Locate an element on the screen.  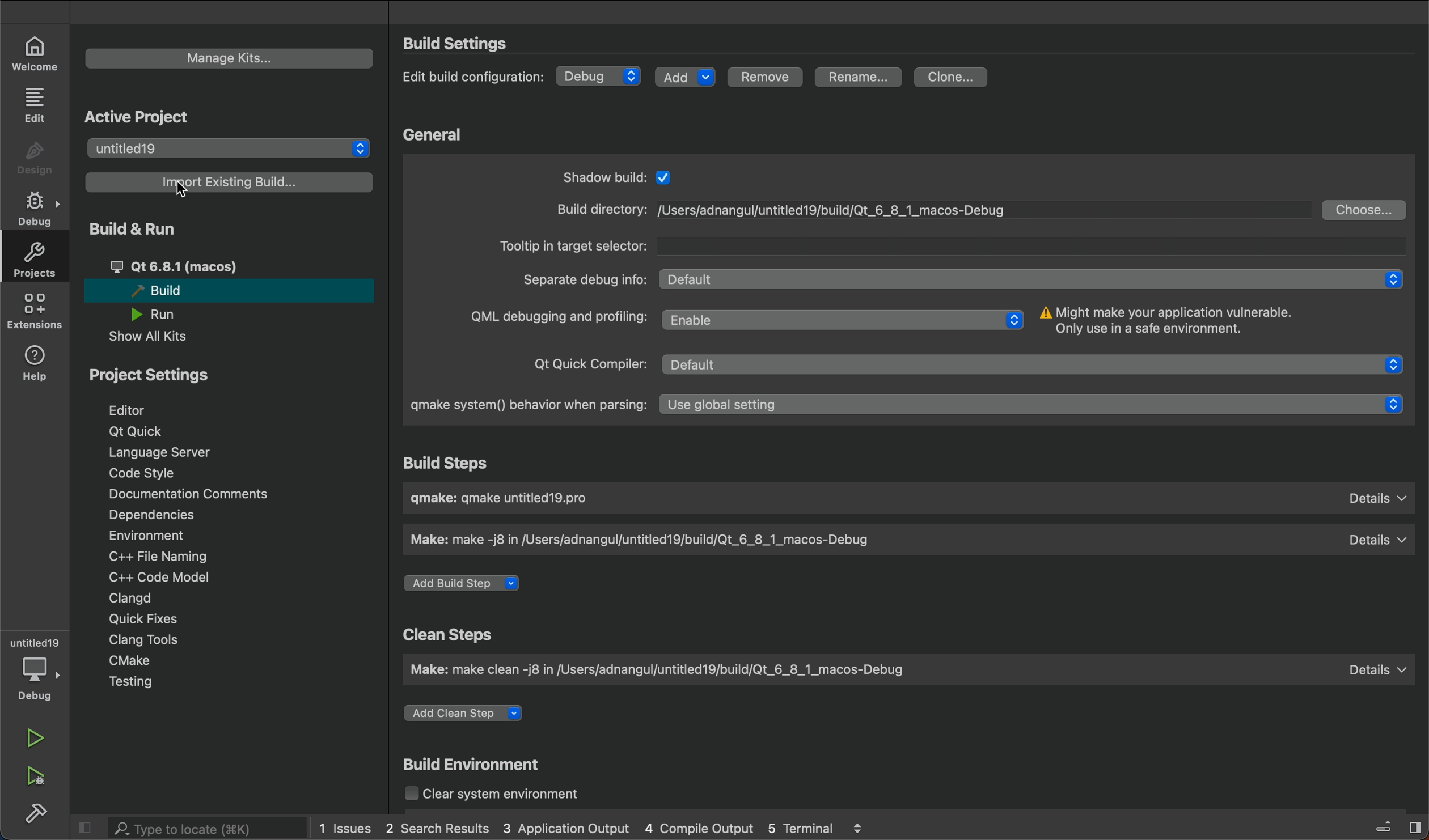
clean steps is located at coordinates (452, 635).